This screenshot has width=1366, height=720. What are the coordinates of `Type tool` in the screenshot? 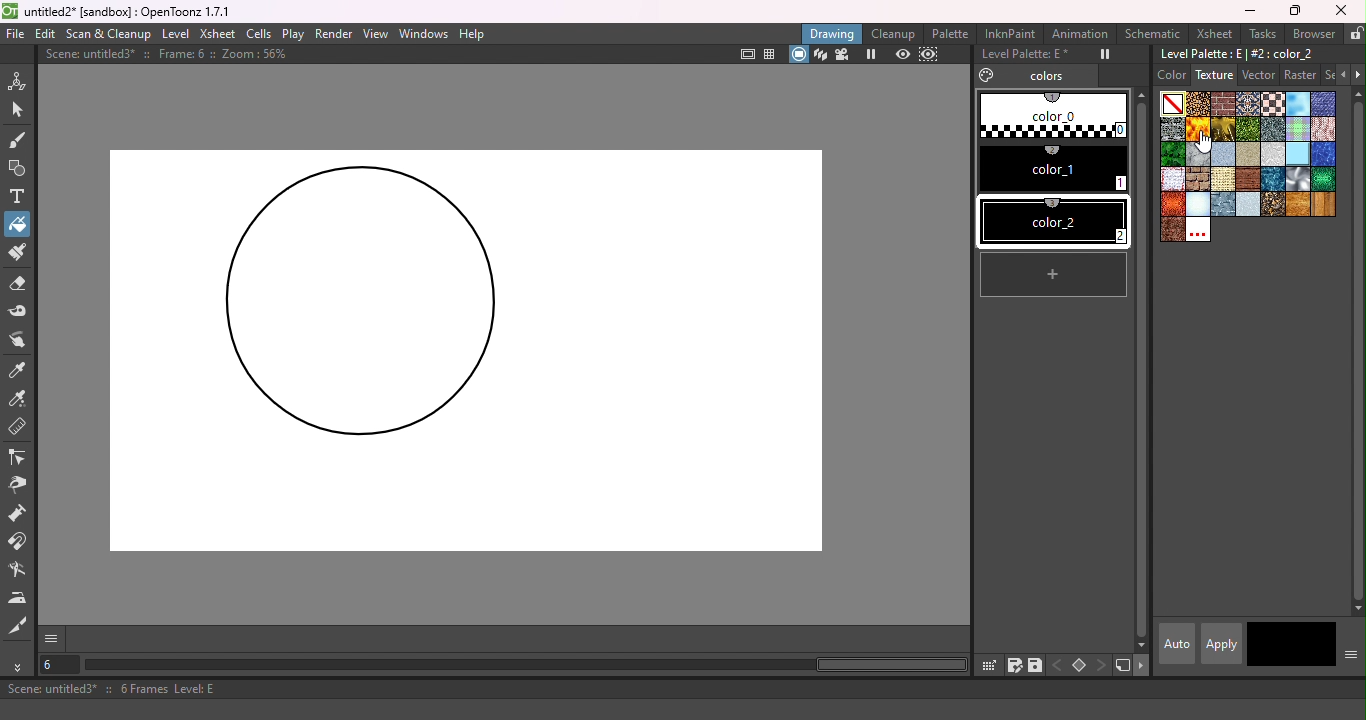 It's located at (22, 196).